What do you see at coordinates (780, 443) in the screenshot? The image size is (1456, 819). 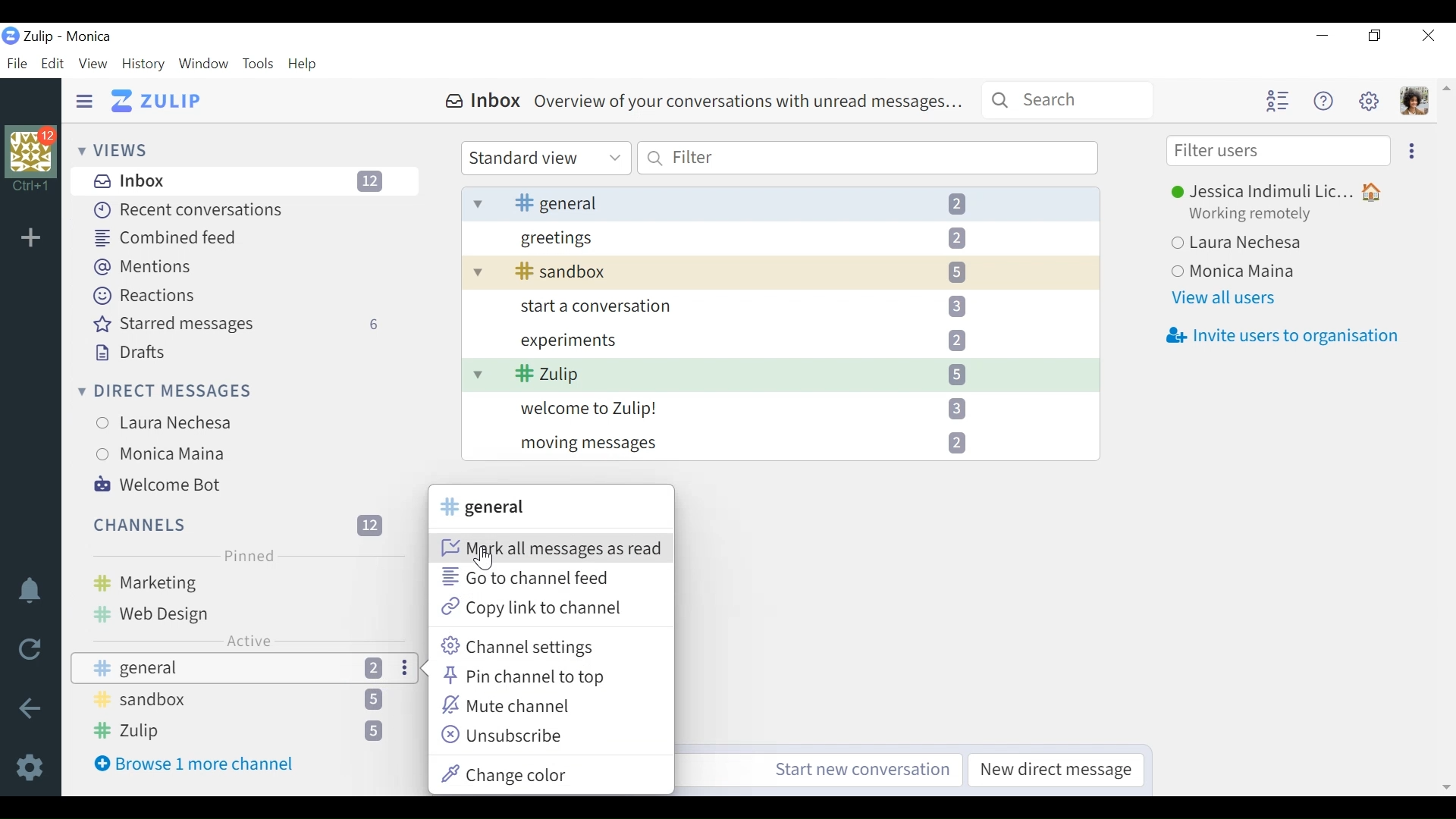 I see `Moving messages 2` at bounding box center [780, 443].